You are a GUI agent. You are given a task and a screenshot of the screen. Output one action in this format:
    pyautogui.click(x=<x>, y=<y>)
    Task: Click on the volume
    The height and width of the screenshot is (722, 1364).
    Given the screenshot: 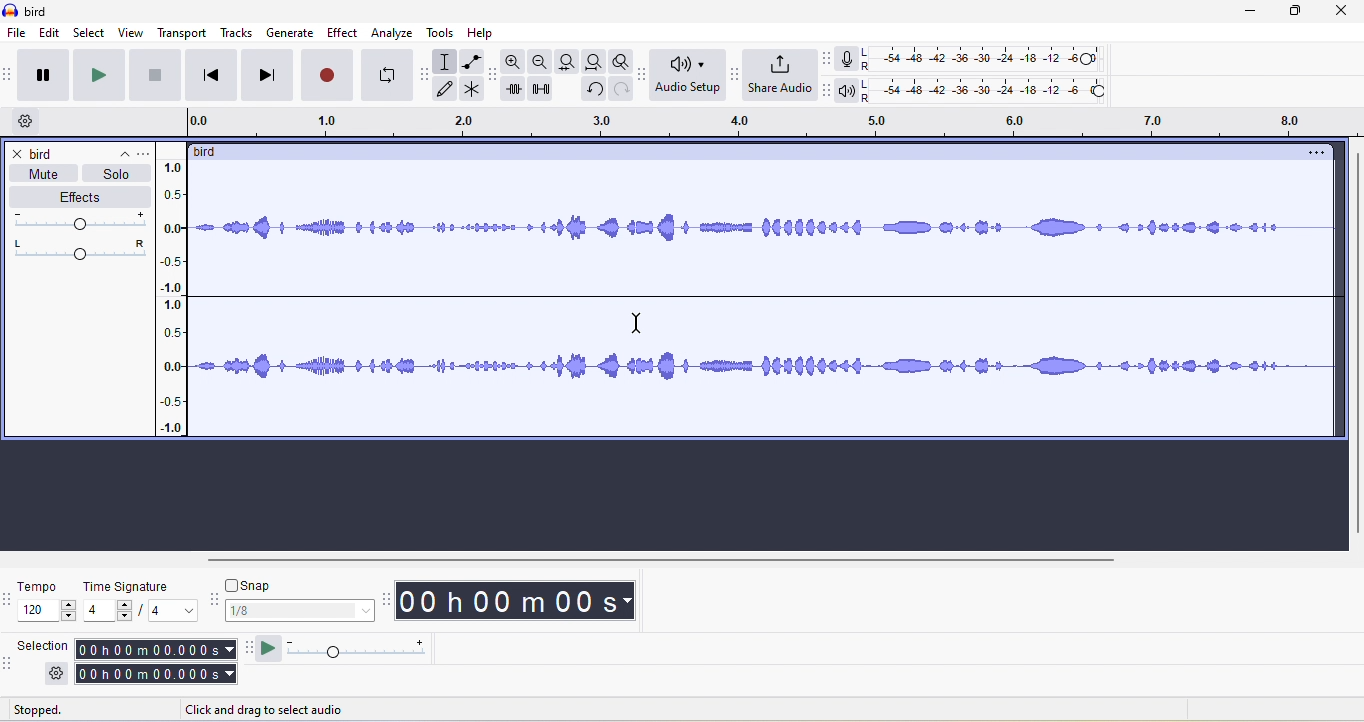 What is the action you would take?
    pyautogui.click(x=83, y=221)
    